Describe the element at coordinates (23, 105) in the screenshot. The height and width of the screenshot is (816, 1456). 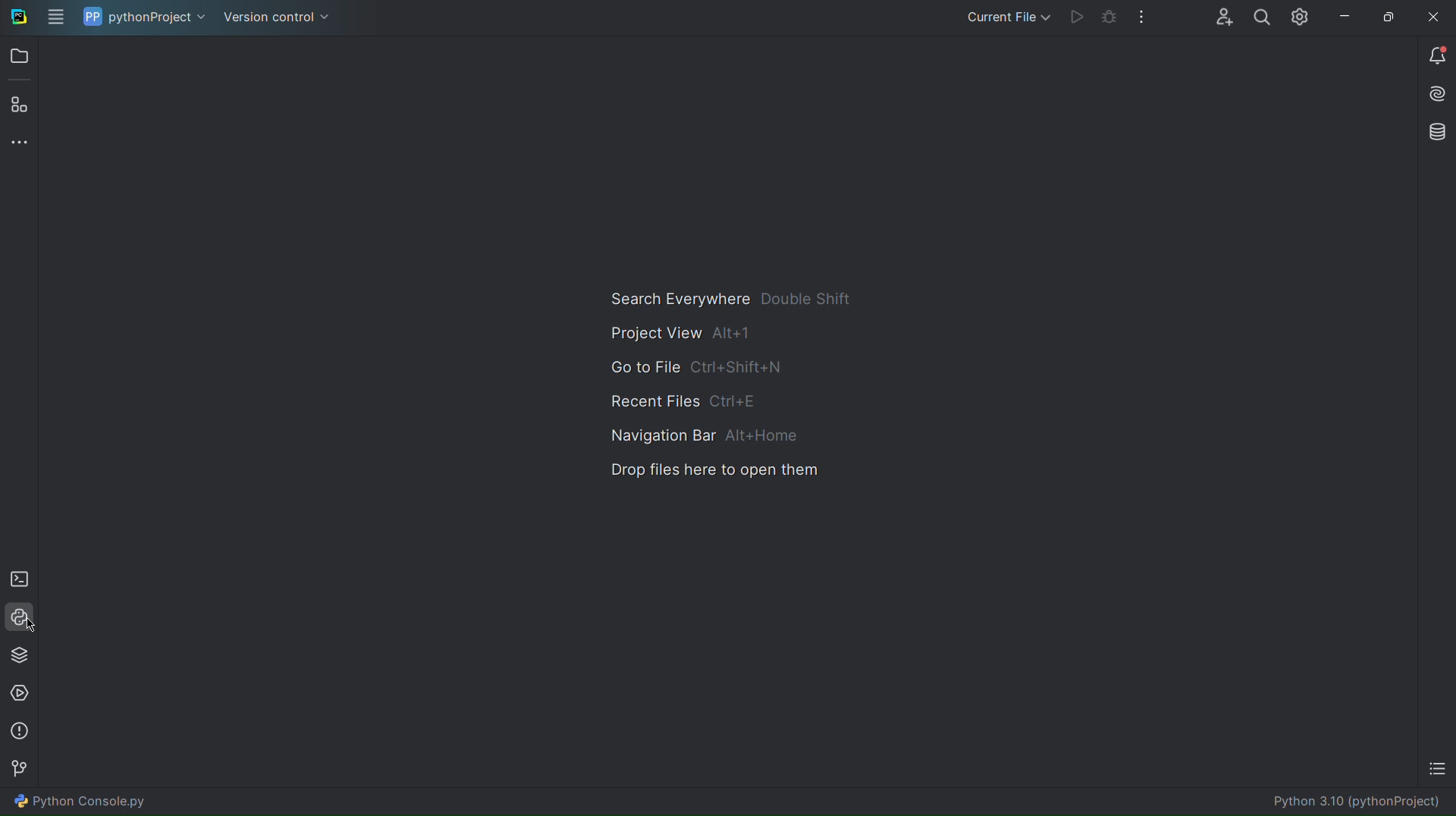
I see `Plugins` at that location.